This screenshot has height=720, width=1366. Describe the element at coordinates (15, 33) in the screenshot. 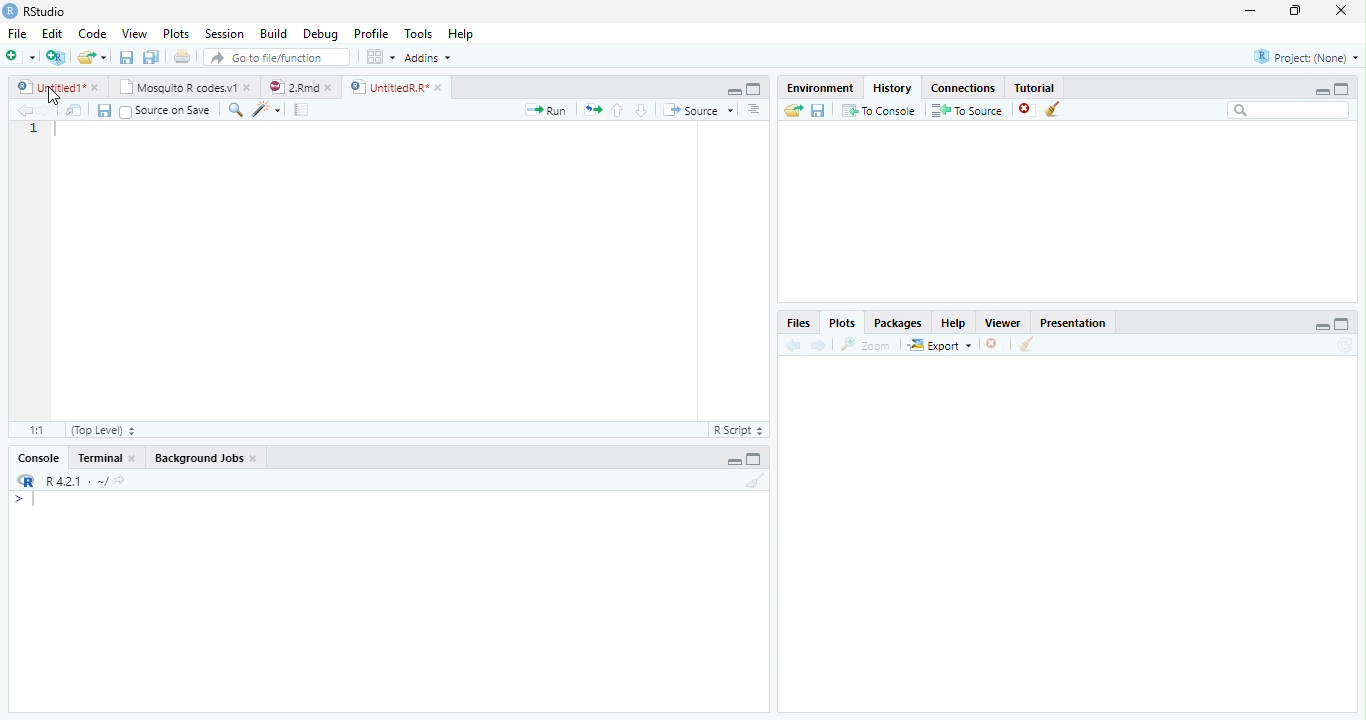

I see `File` at that location.